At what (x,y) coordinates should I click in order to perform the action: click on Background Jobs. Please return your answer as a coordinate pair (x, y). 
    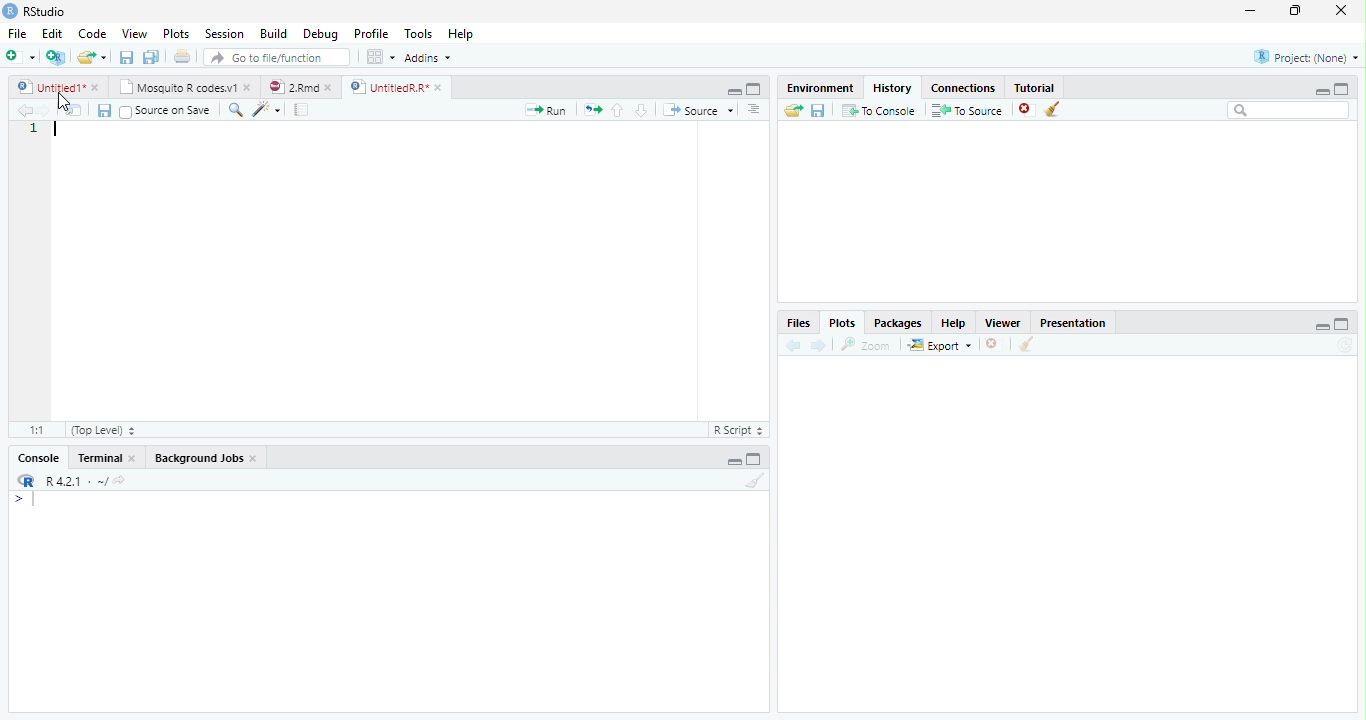
    Looking at the image, I should click on (199, 457).